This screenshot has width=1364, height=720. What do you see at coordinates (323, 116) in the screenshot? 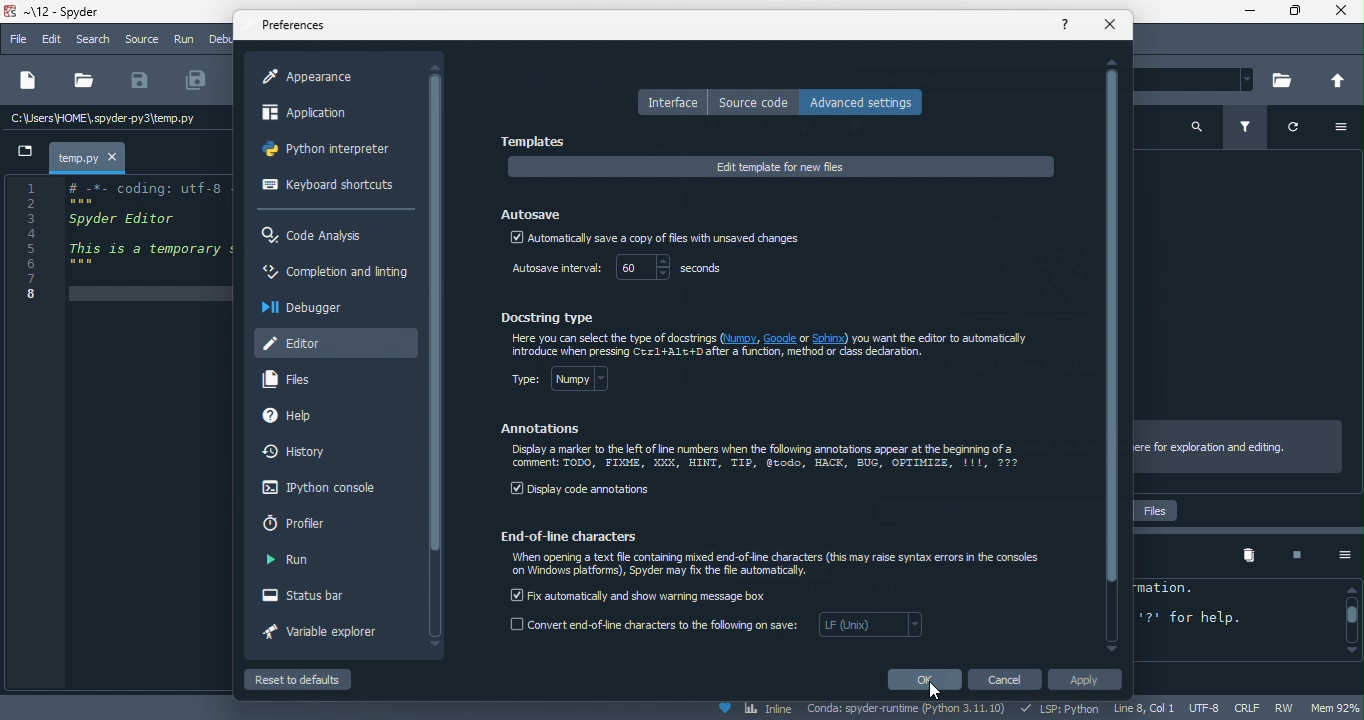
I see `application` at bounding box center [323, 116].